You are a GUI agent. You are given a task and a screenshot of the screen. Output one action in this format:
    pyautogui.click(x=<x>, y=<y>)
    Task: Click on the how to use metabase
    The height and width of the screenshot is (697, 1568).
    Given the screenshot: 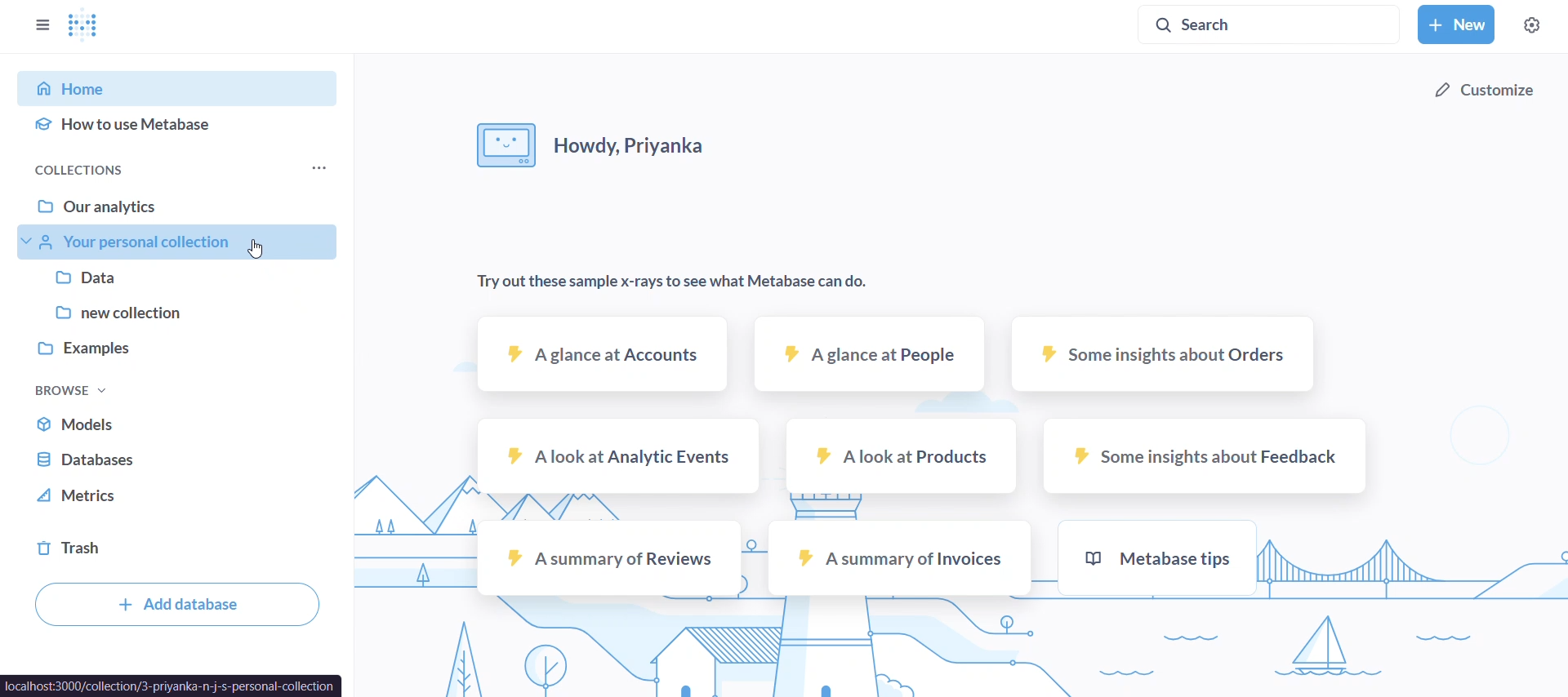 What is the action you would take?
    pyautogui.click(x=179, y=126)
    